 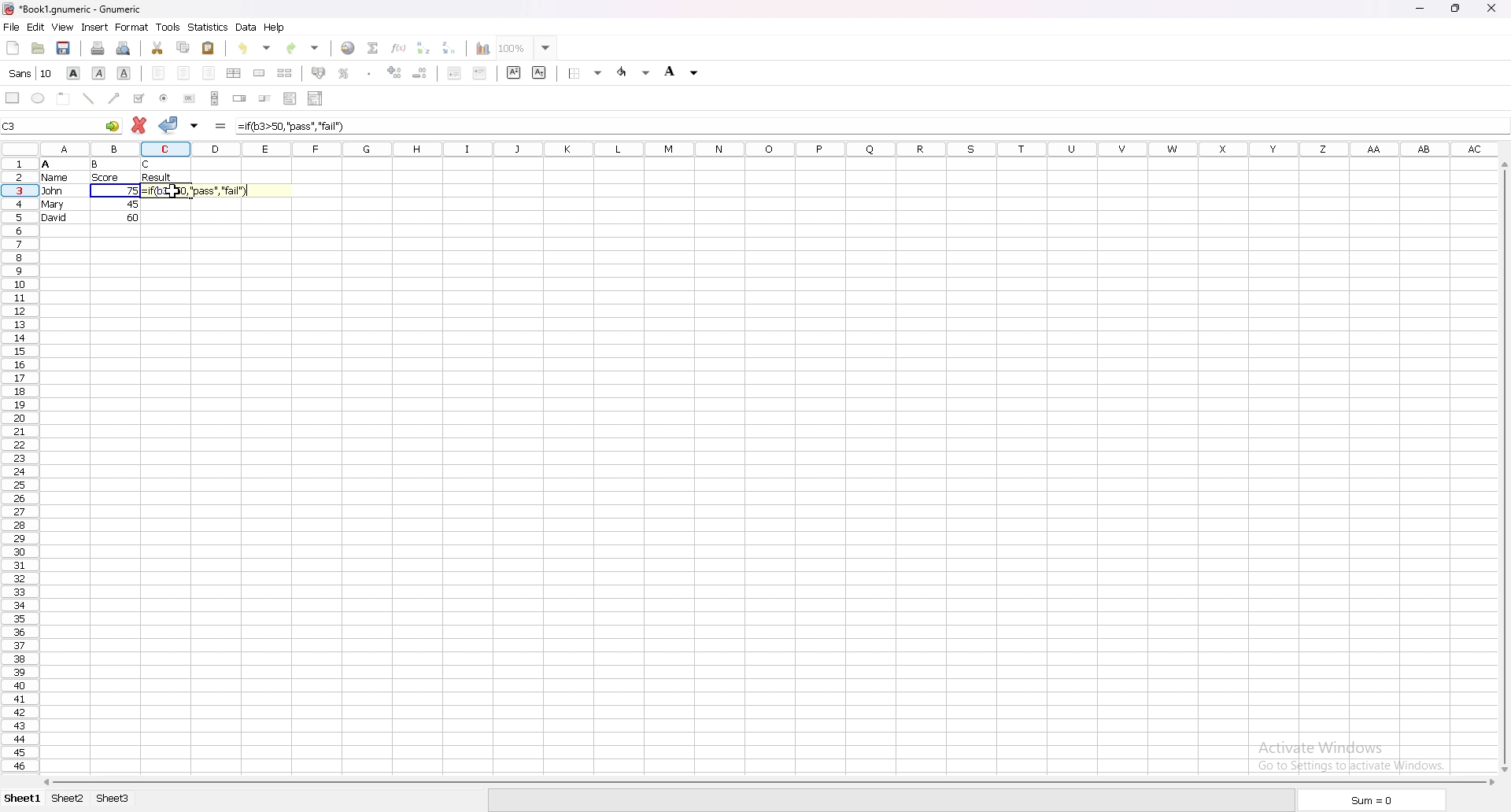 I want to click on accounting, so click(x=319, y=73).